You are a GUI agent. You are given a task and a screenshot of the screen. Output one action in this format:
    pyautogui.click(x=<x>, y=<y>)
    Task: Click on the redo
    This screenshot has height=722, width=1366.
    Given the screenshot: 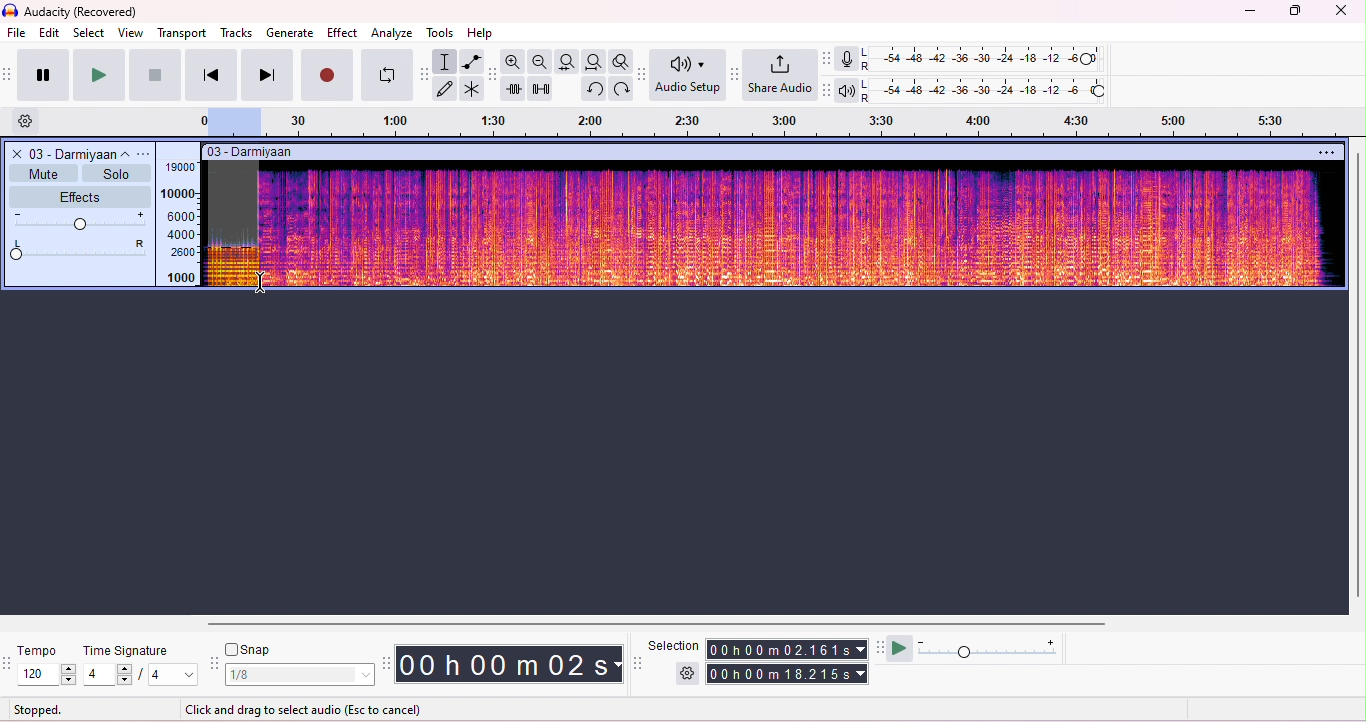 What is the action you would take?
    pyautogui.click(x=623, y=89)
    